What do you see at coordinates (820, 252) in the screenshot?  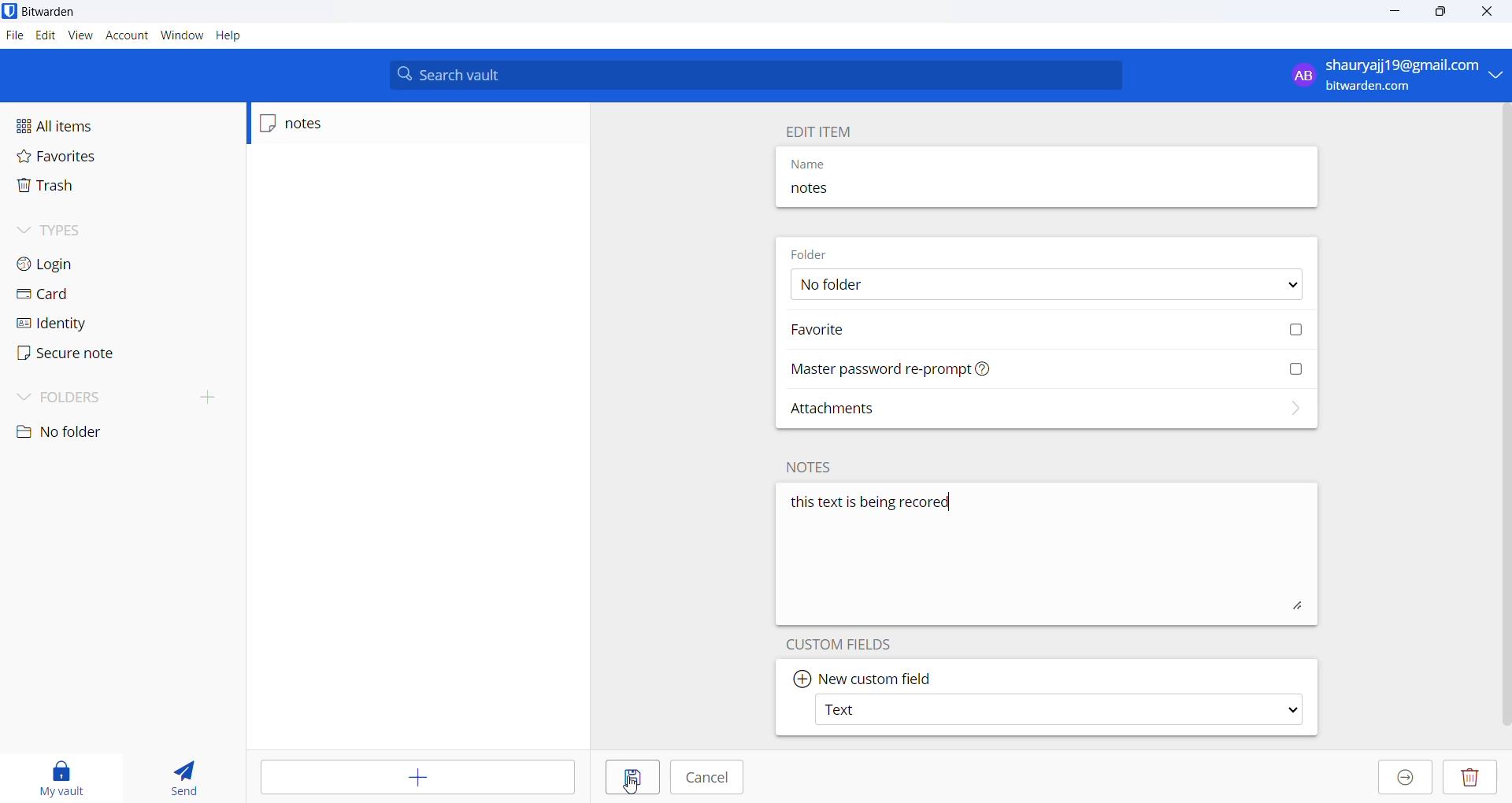 I see `folder` at bounding box center [820, 252].